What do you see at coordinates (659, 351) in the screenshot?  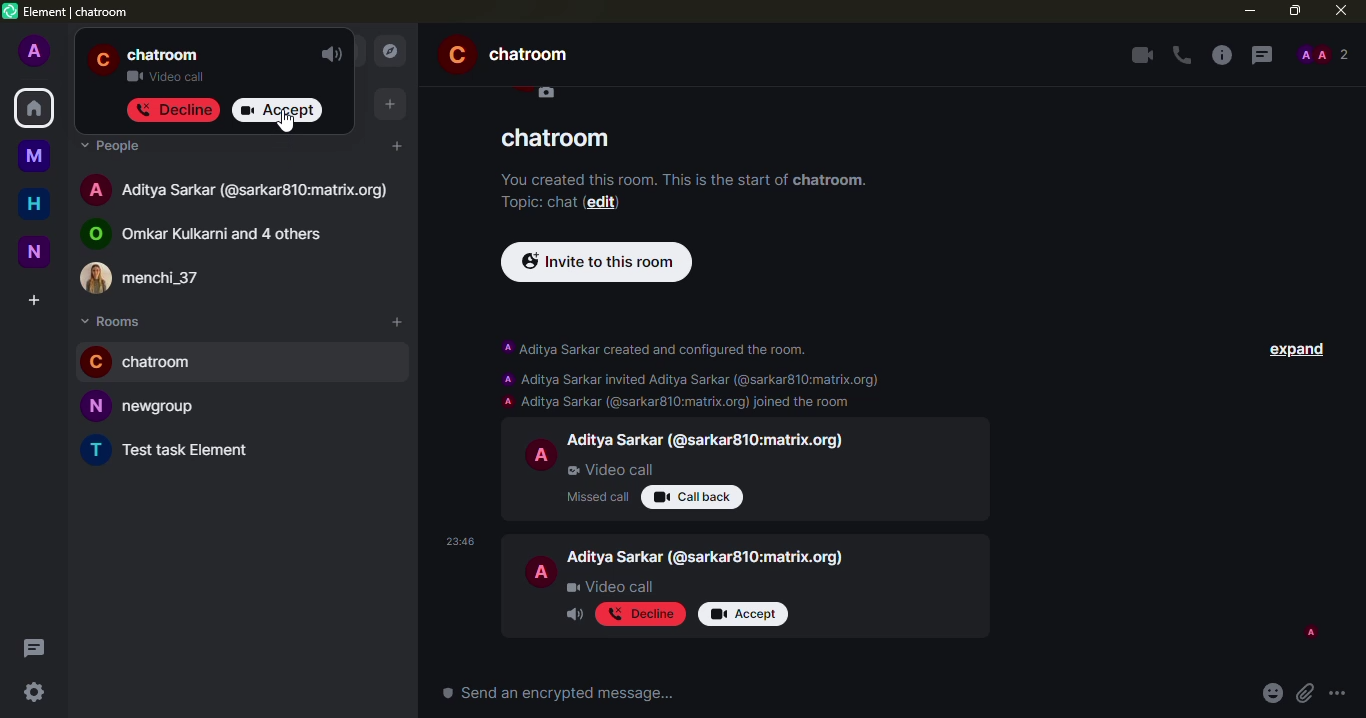 I see `A Aditya Sarkar created and configured the room.` at bounding box center [659, 351].